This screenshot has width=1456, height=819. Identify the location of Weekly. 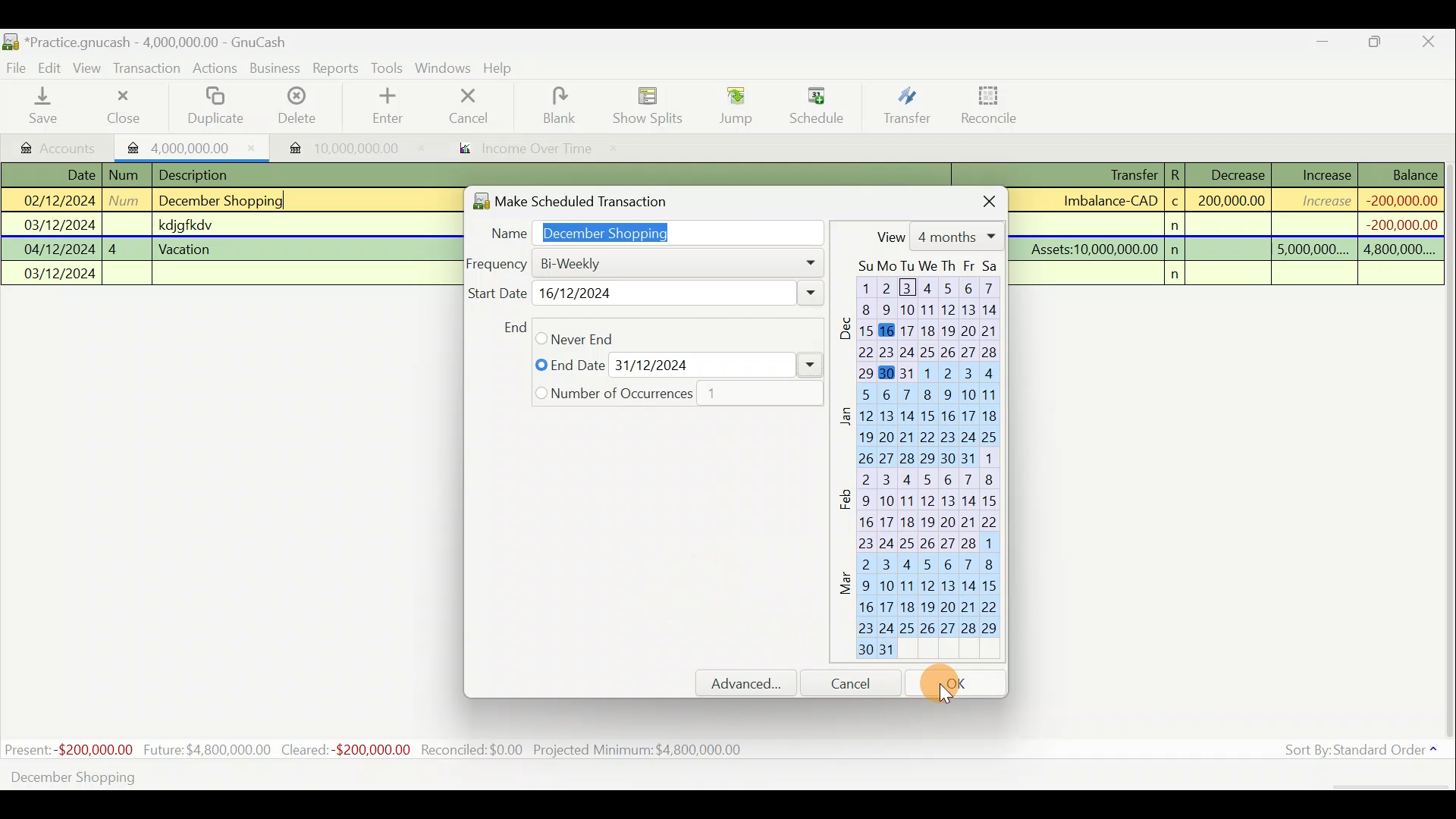
(583, 293).